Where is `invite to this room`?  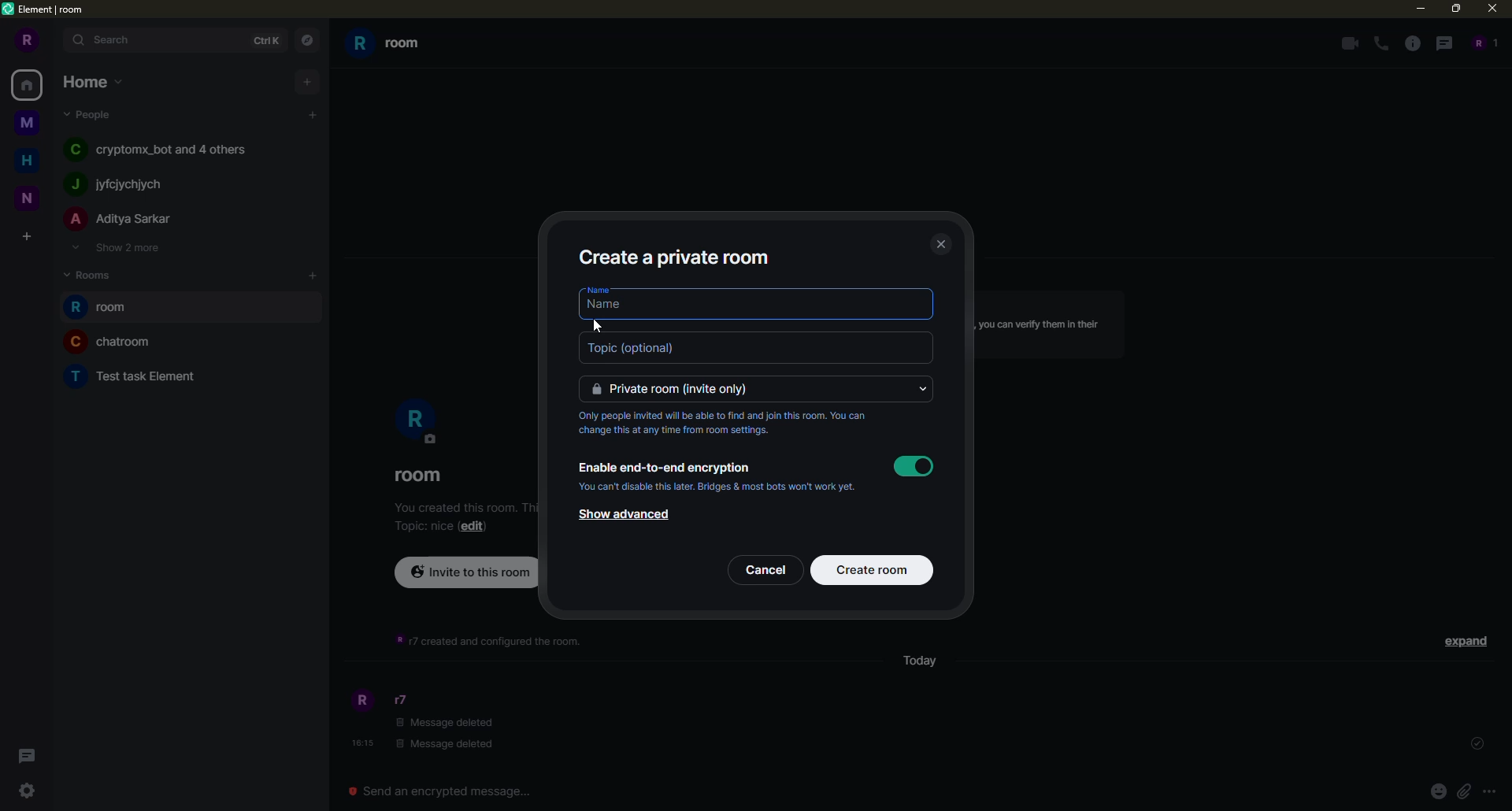 invite to this room is located at coordinates (468, 571).